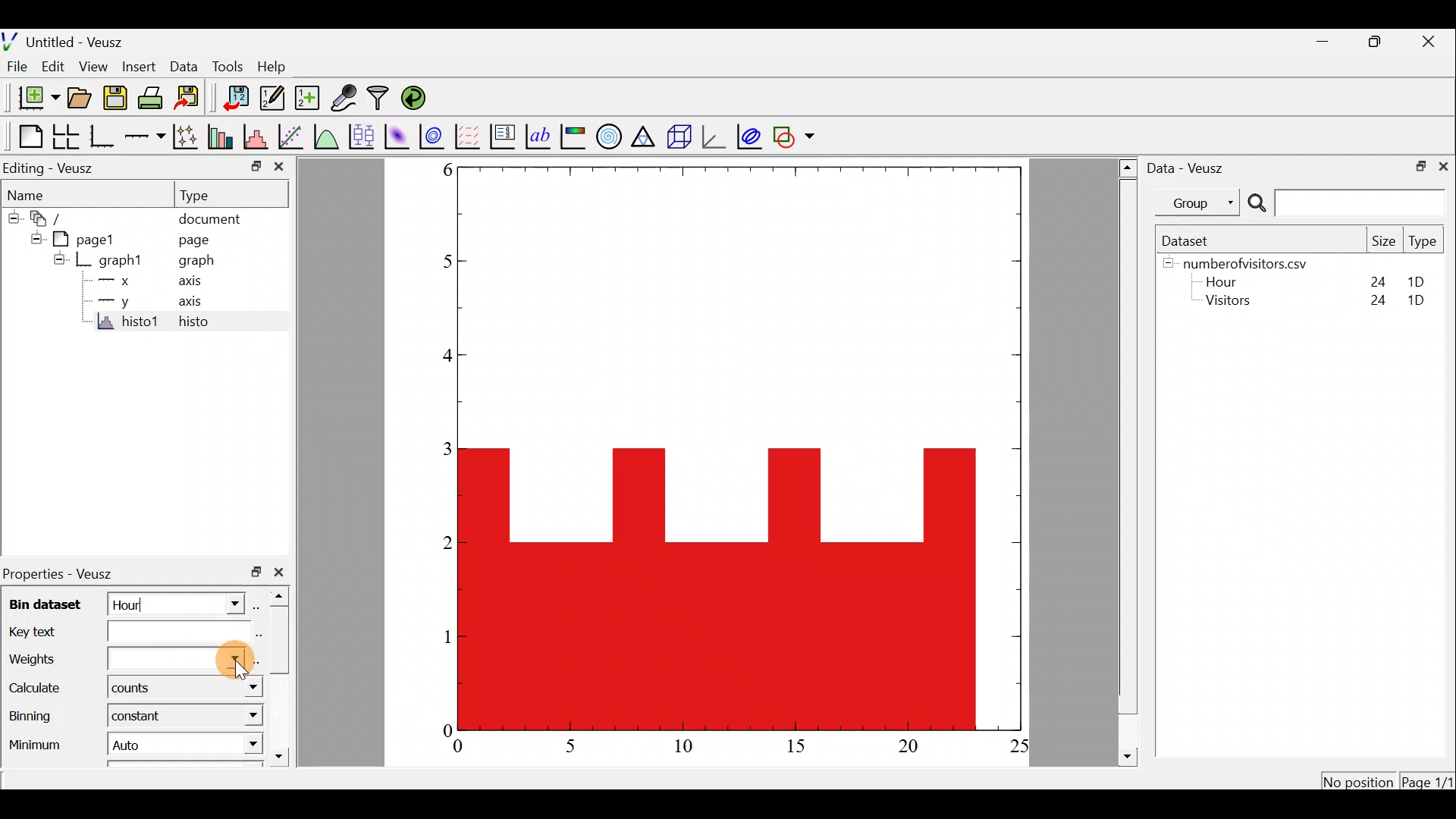 Image resolution: width=1456 pixels, height=819 pixels. What do you see at coordinates (438, 731) in the screenshot?
I see `0` at bounding box center [438, 731].